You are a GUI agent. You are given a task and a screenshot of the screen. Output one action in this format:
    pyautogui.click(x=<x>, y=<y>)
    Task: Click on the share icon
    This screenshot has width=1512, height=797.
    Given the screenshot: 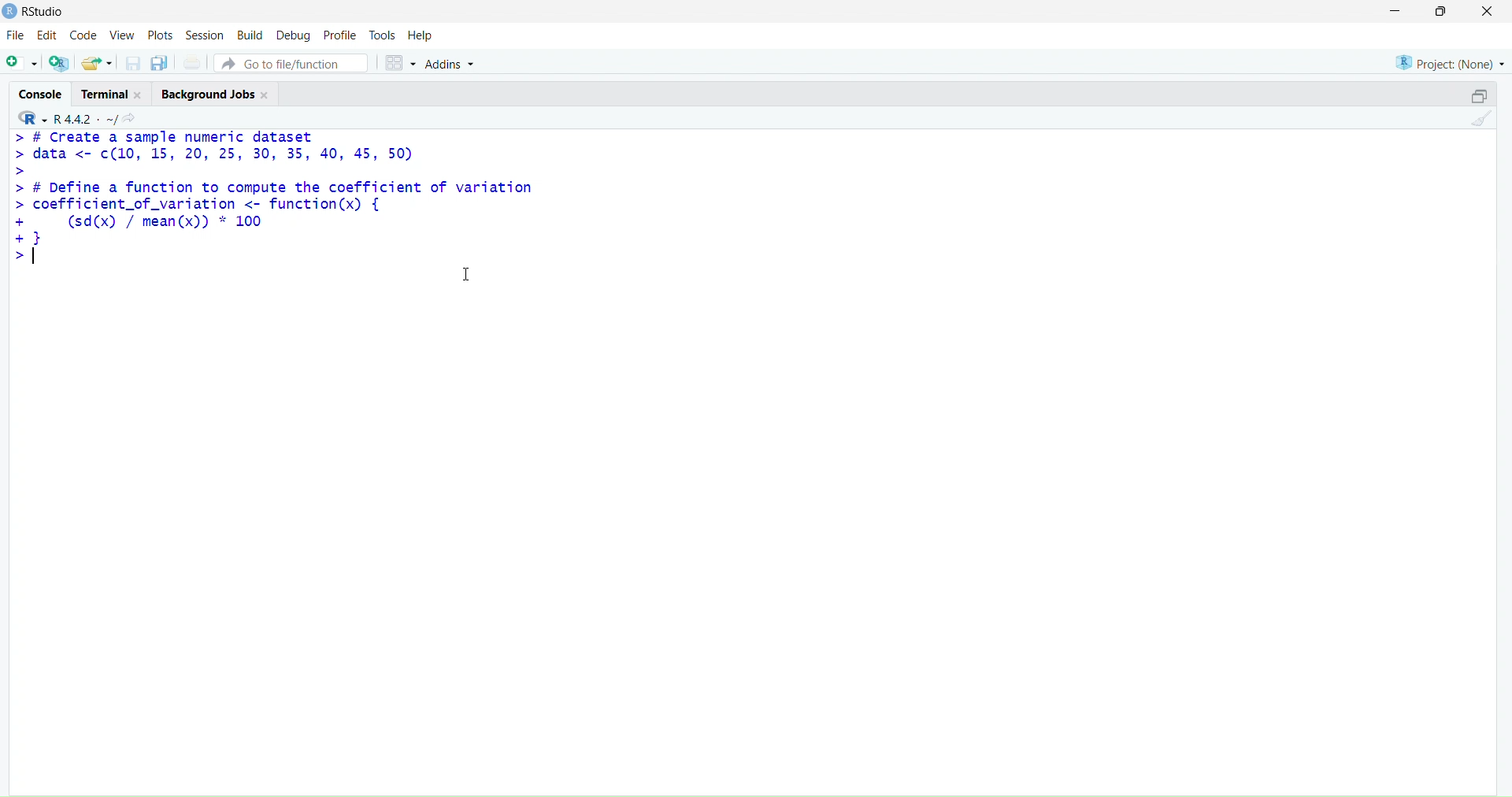 What is the action you would take?
    pyautogui.click(x=130, y=118)
    